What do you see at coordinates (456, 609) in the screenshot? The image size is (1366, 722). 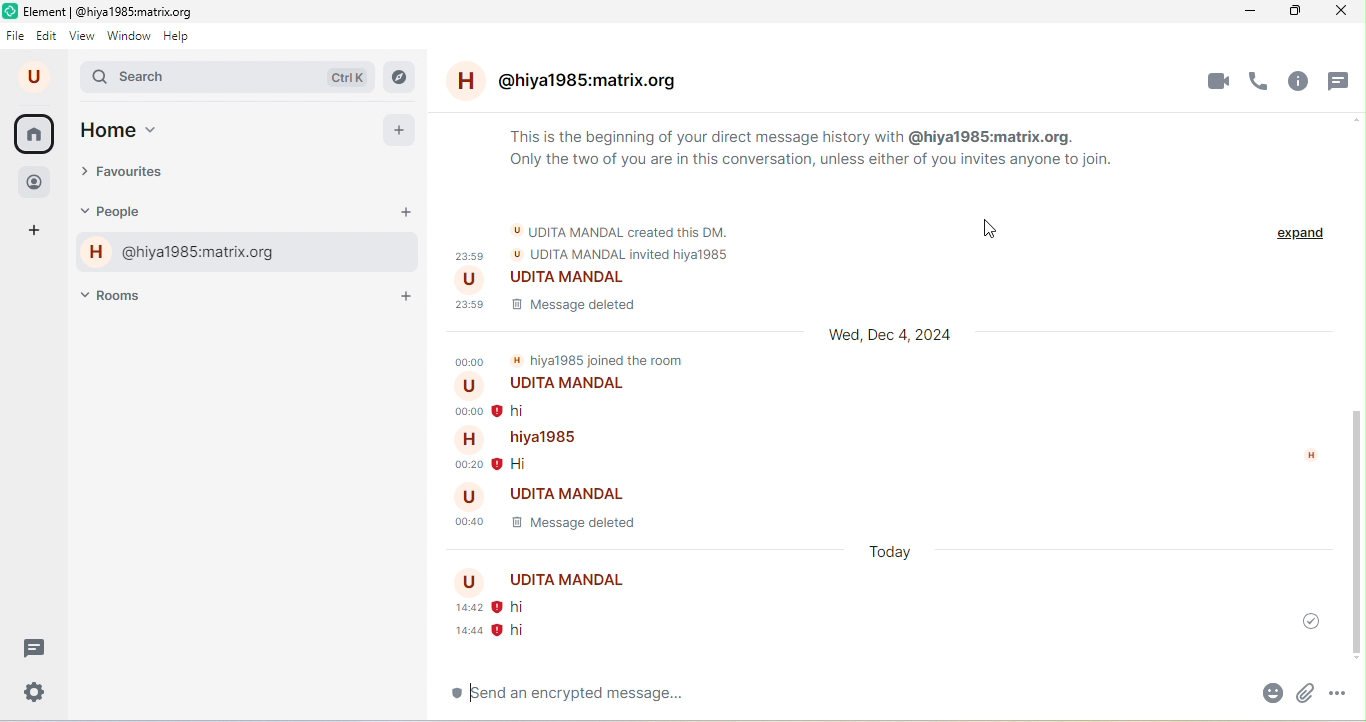 I see `14.42` at bounding box center [456, 609].